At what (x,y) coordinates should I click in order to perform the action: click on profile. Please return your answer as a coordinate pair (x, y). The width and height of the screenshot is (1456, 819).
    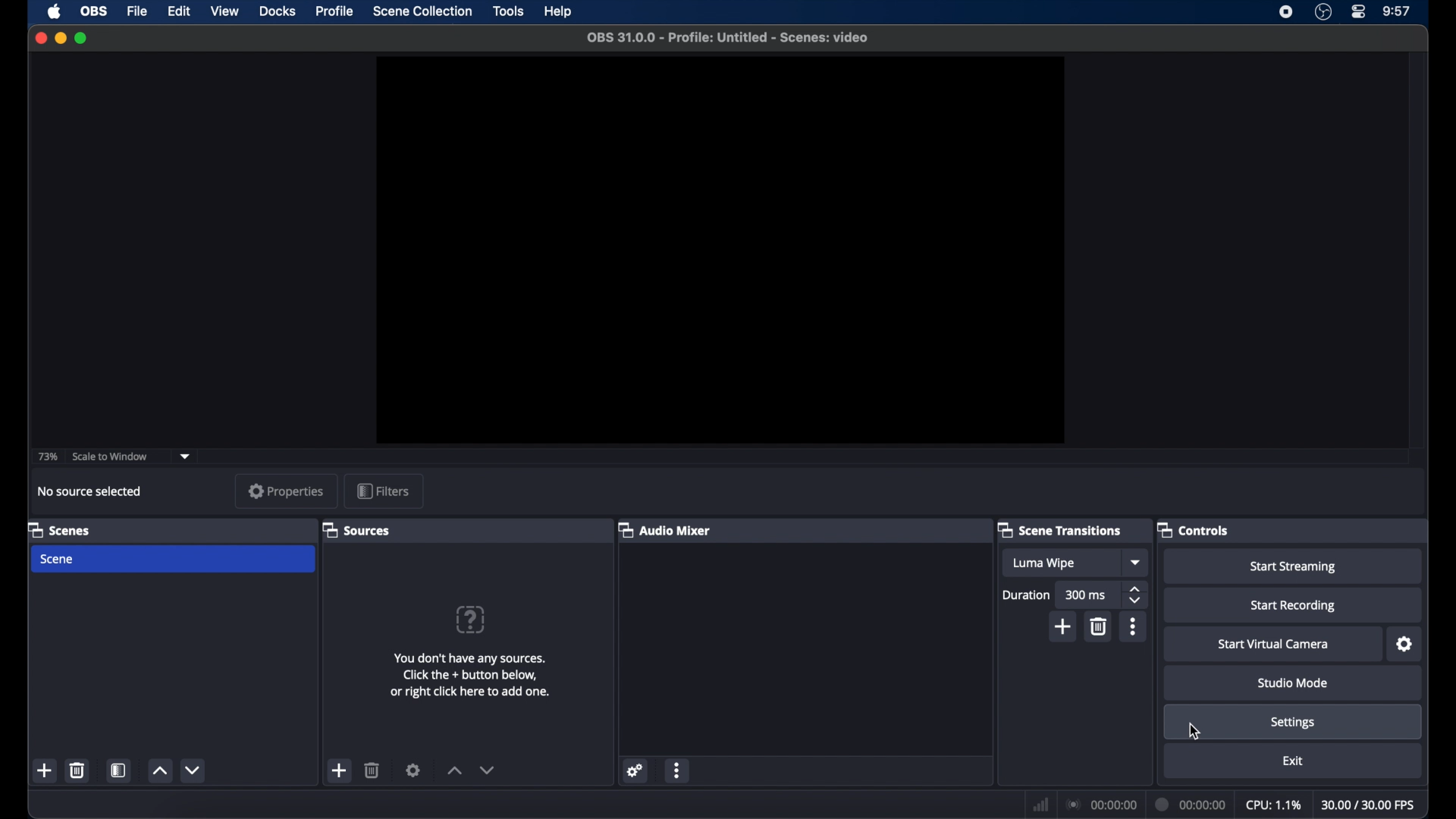
    Looking at the image, I should click on (335, 11).